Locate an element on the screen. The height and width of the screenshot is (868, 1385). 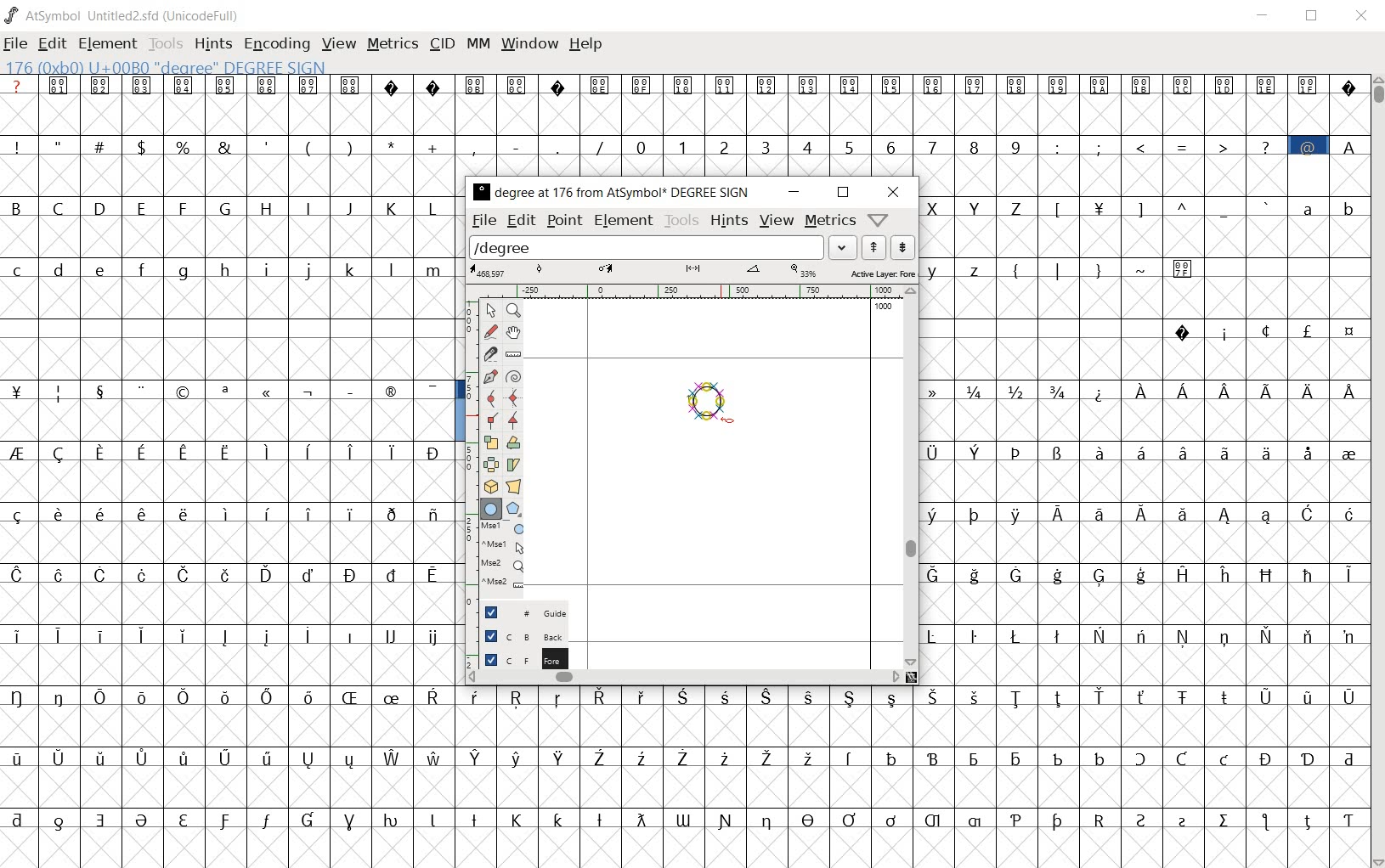
add a point, then drag out its control points is located at coordinates (488, 375).